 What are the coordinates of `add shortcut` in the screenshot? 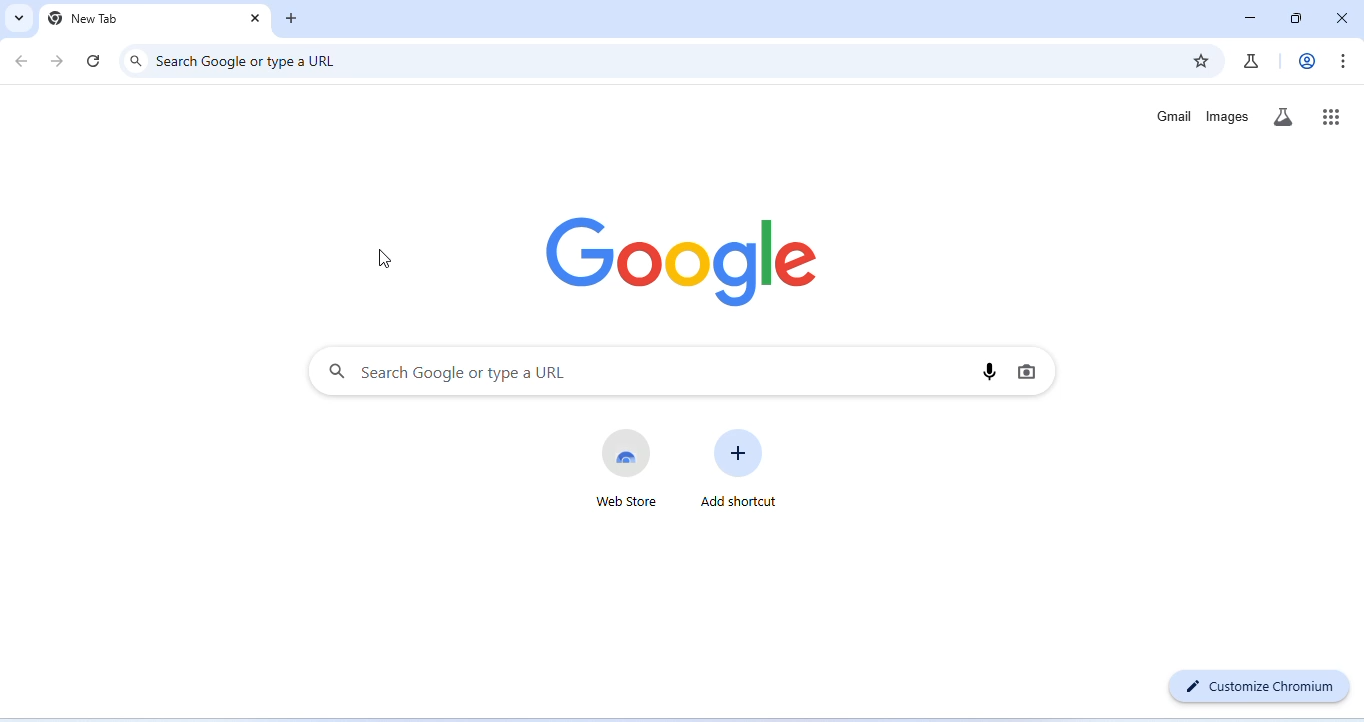 It's located at (739, 470).